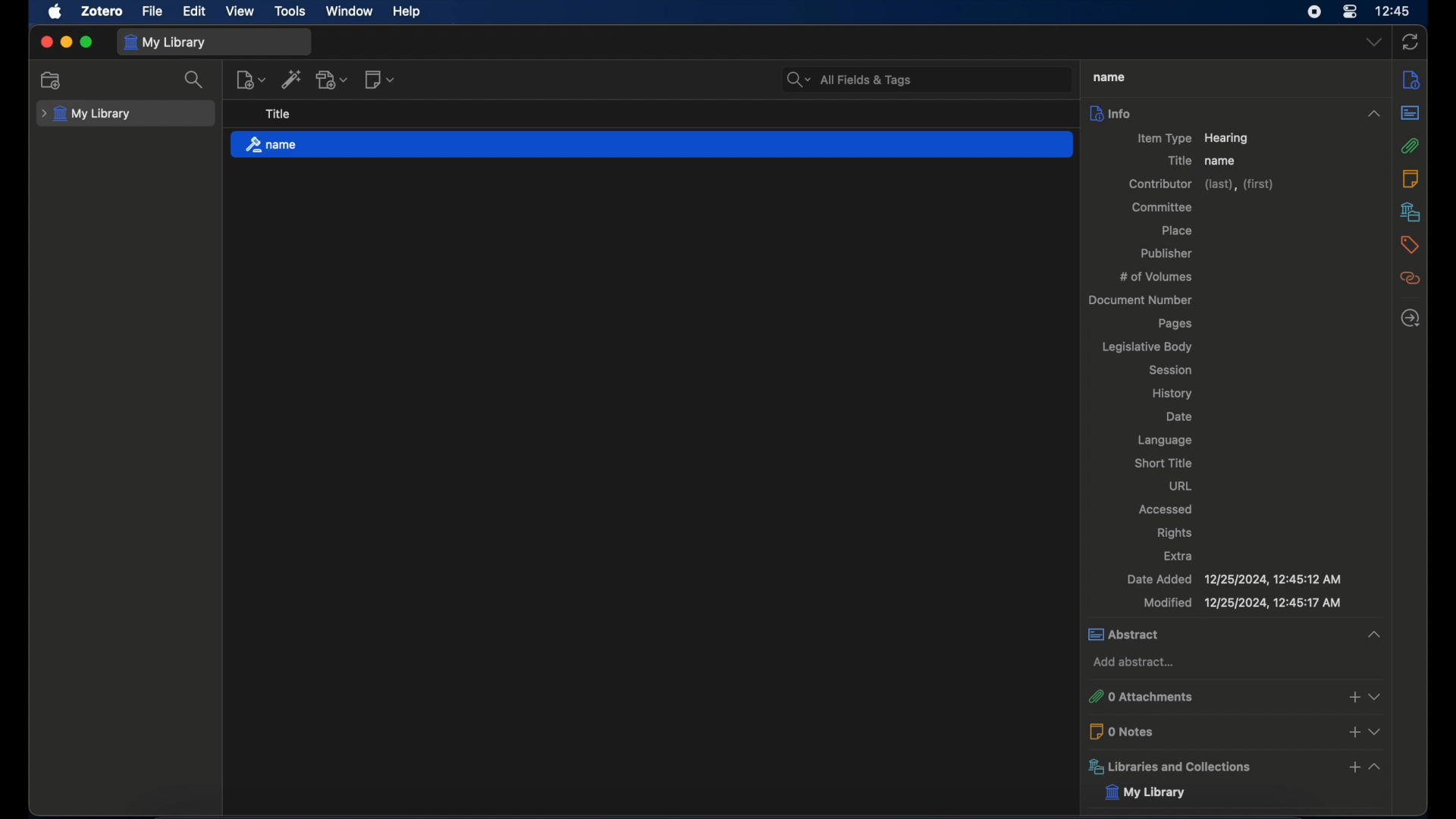 The height and width of the screenshot is (819, 1456). Describe the element at coordinates (56, 11) in the screenshot. I see `apple` at that location.